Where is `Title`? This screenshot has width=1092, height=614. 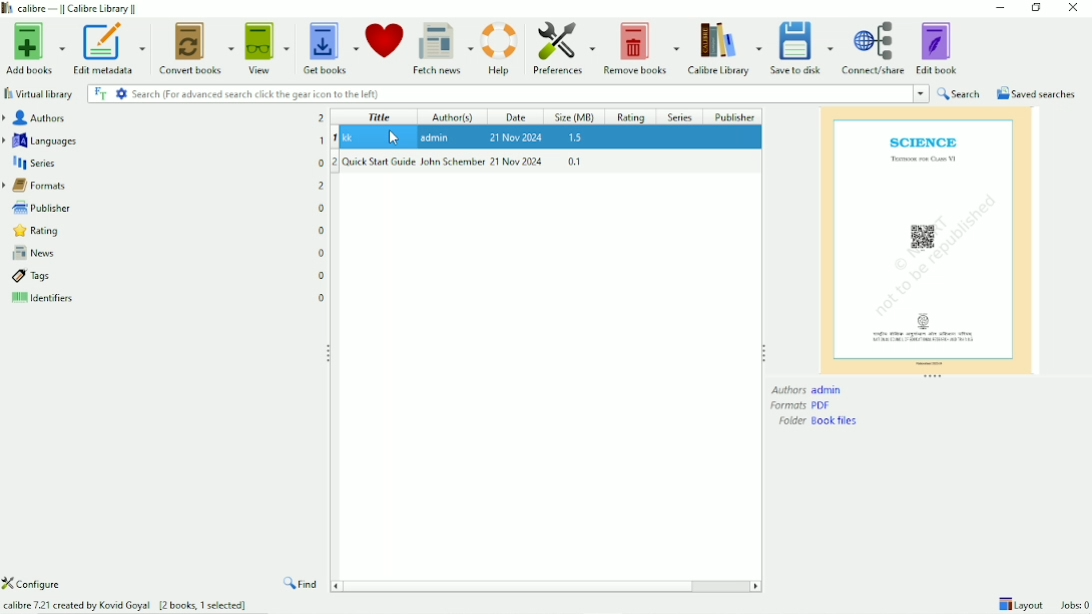
Title is located at coordinates (379, 117).